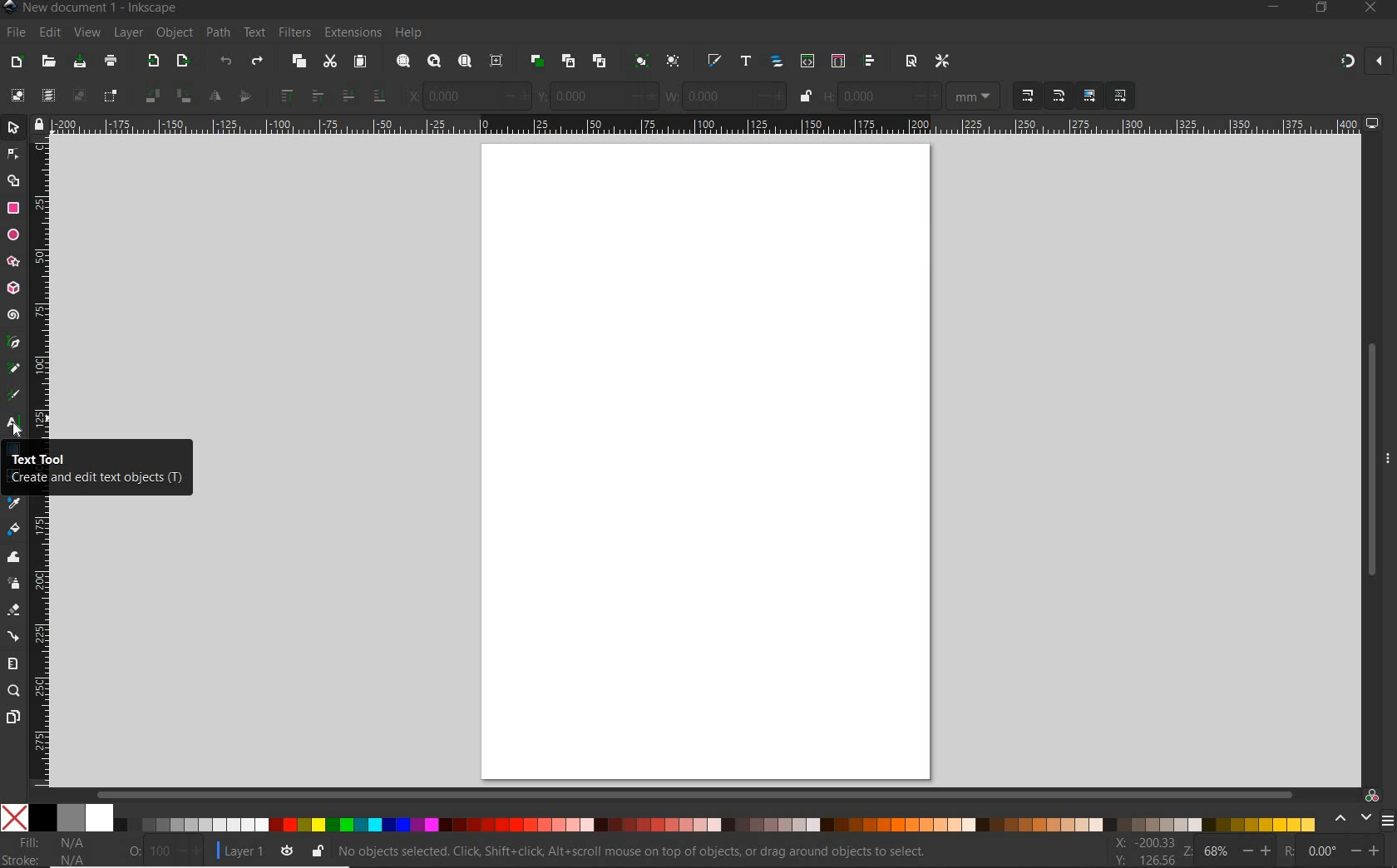 The height and width of the screenshot is (868, 1397). Describe the element at coordinates (658, 817) in the screenshot. I see `color modes` at that location.